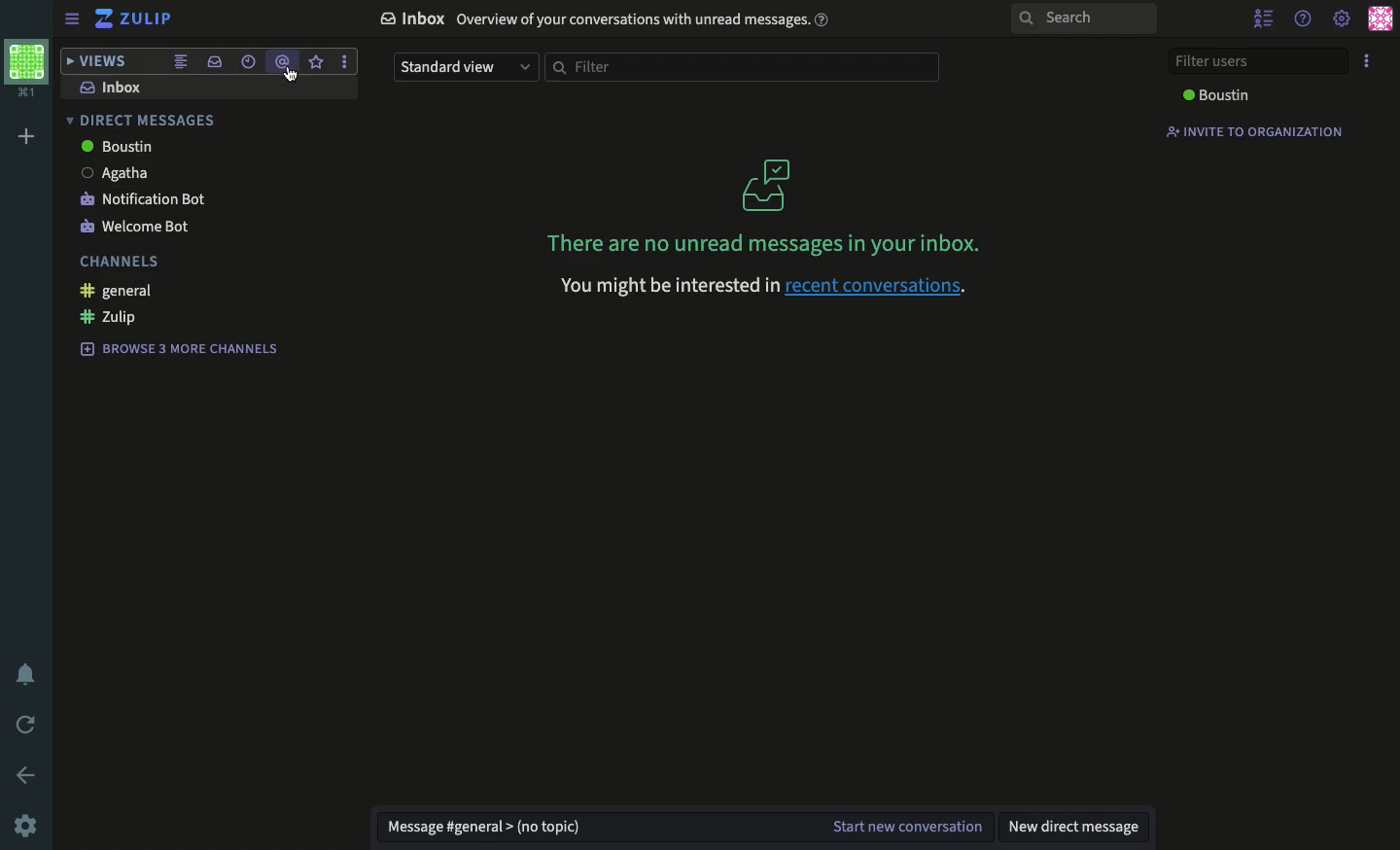 The height and width of the screenshot is (850, 1400). I want to click on standard view, so click(461, 66).